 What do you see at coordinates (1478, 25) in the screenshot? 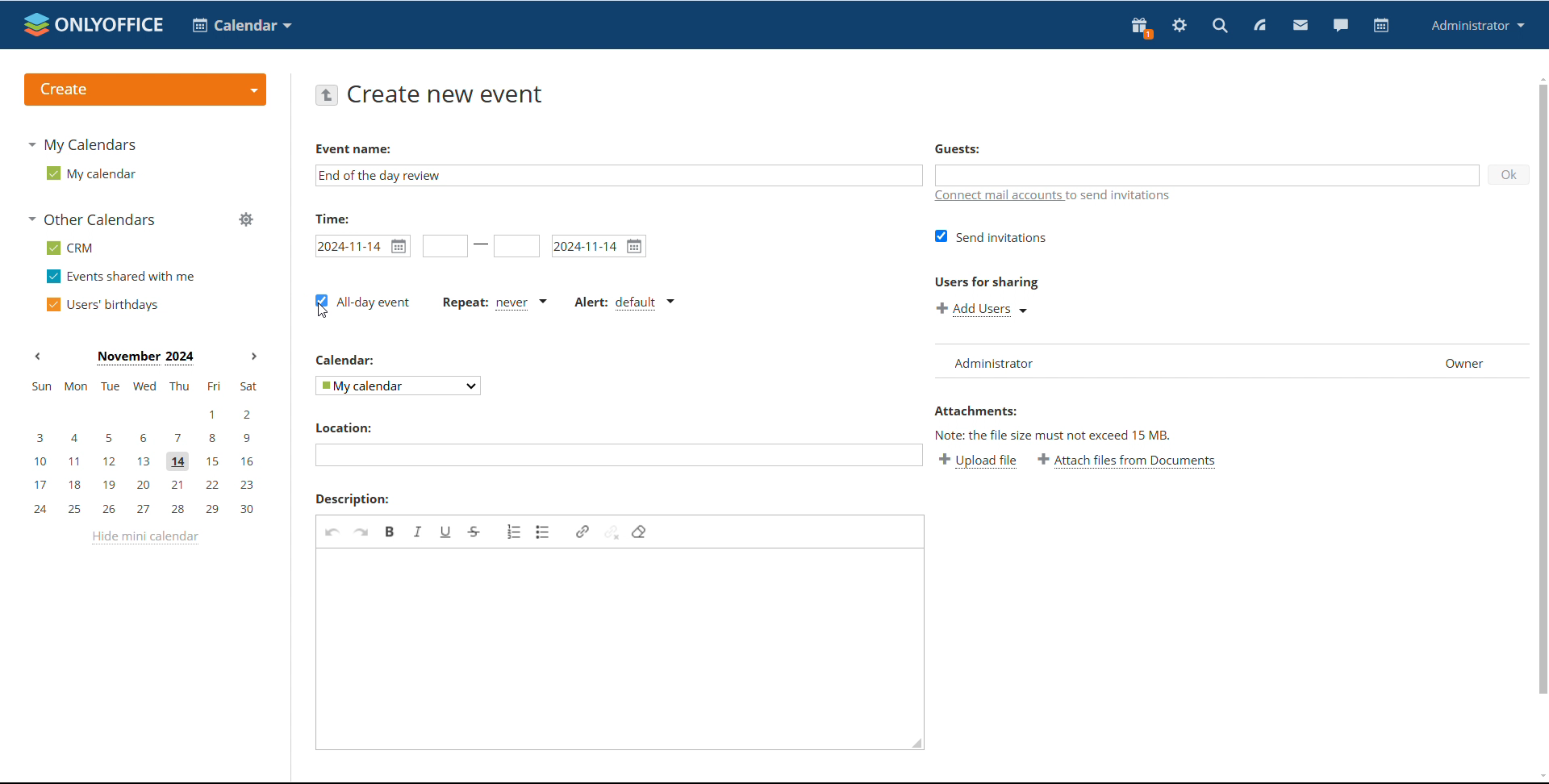
I see `profile` at bounding box center [1478, 25].